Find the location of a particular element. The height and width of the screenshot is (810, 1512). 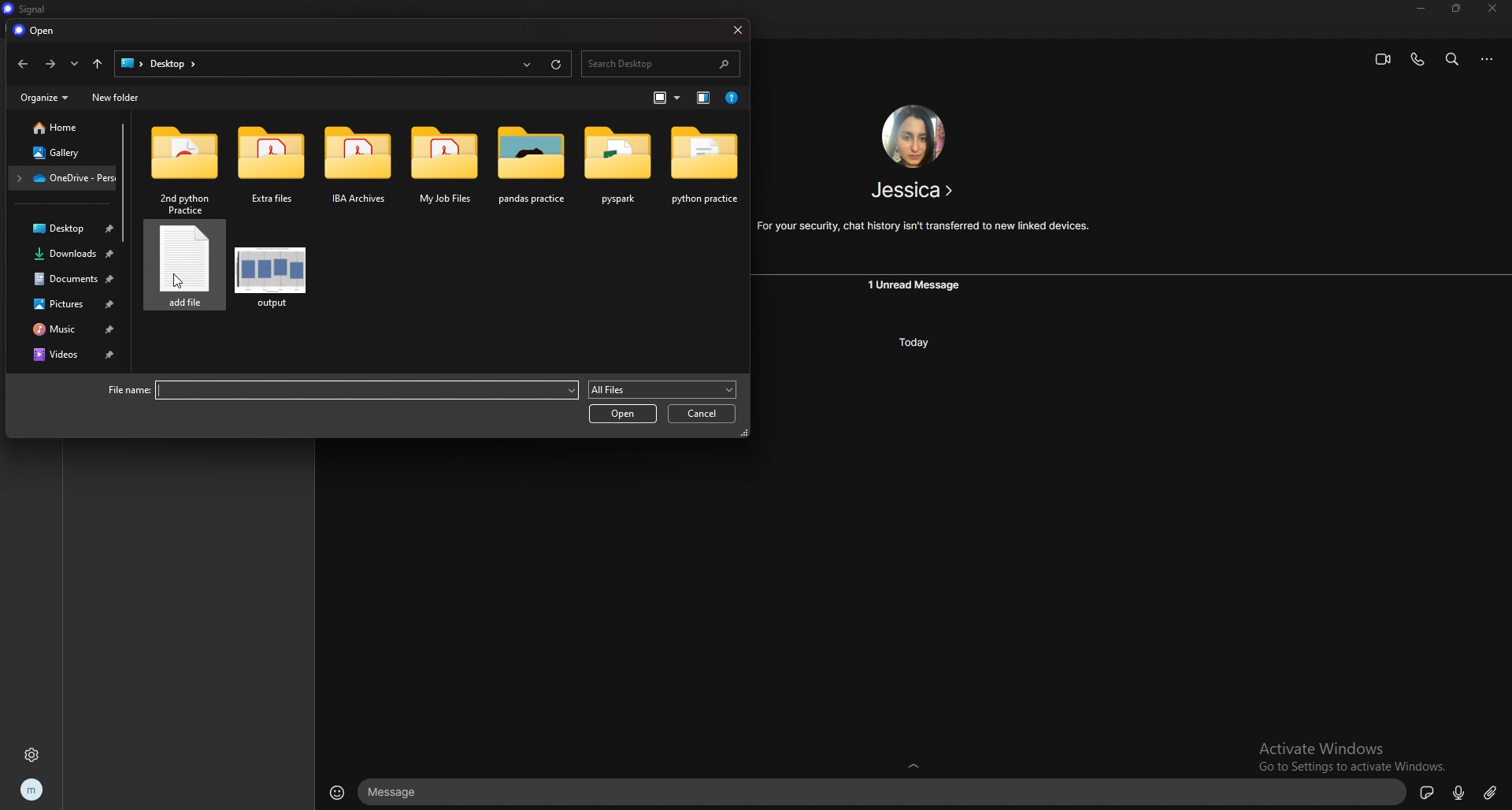

forward is located at coordinates (49, 65).